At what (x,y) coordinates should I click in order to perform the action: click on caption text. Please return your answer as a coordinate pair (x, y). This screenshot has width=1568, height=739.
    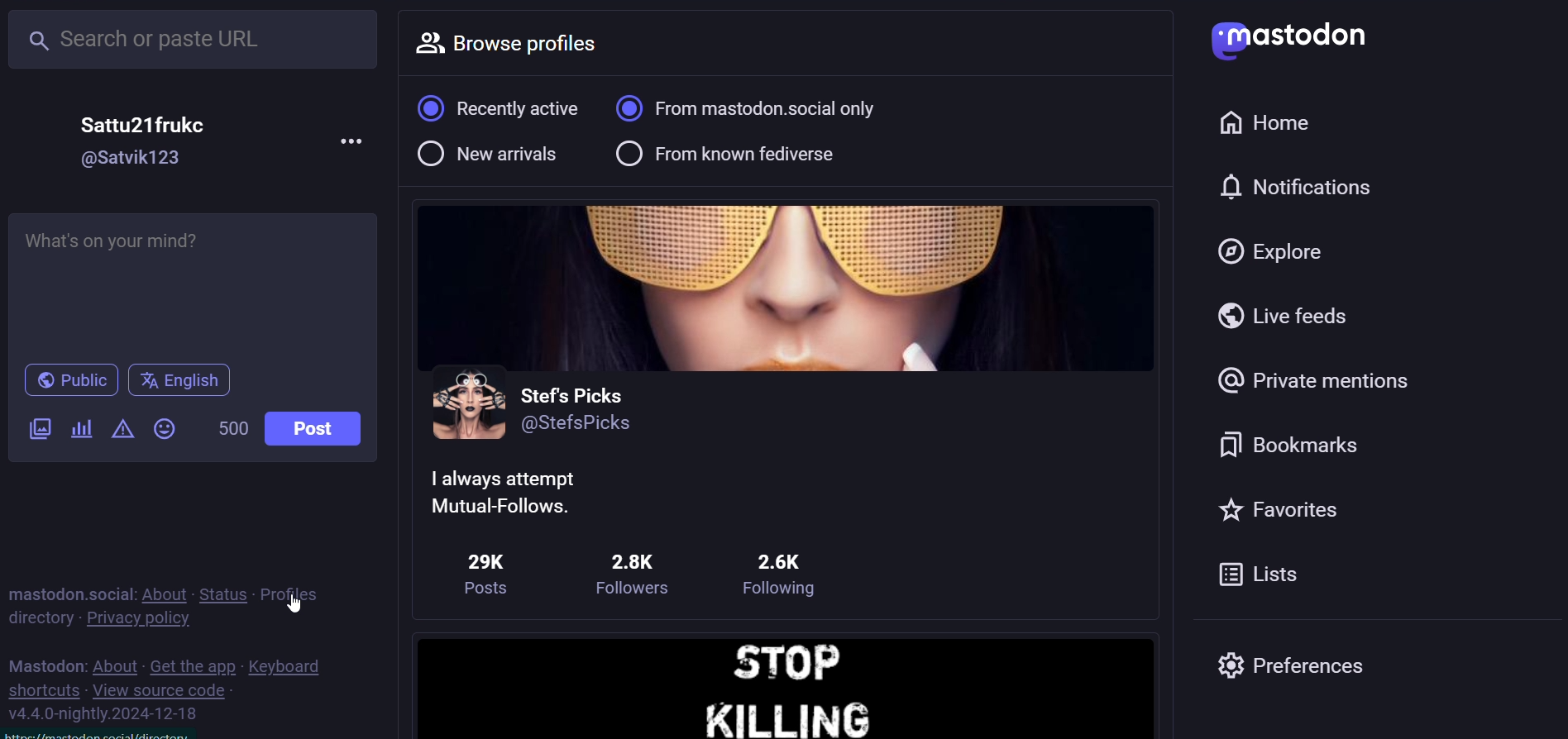
    Looking at the image, I should click on (523, 491).